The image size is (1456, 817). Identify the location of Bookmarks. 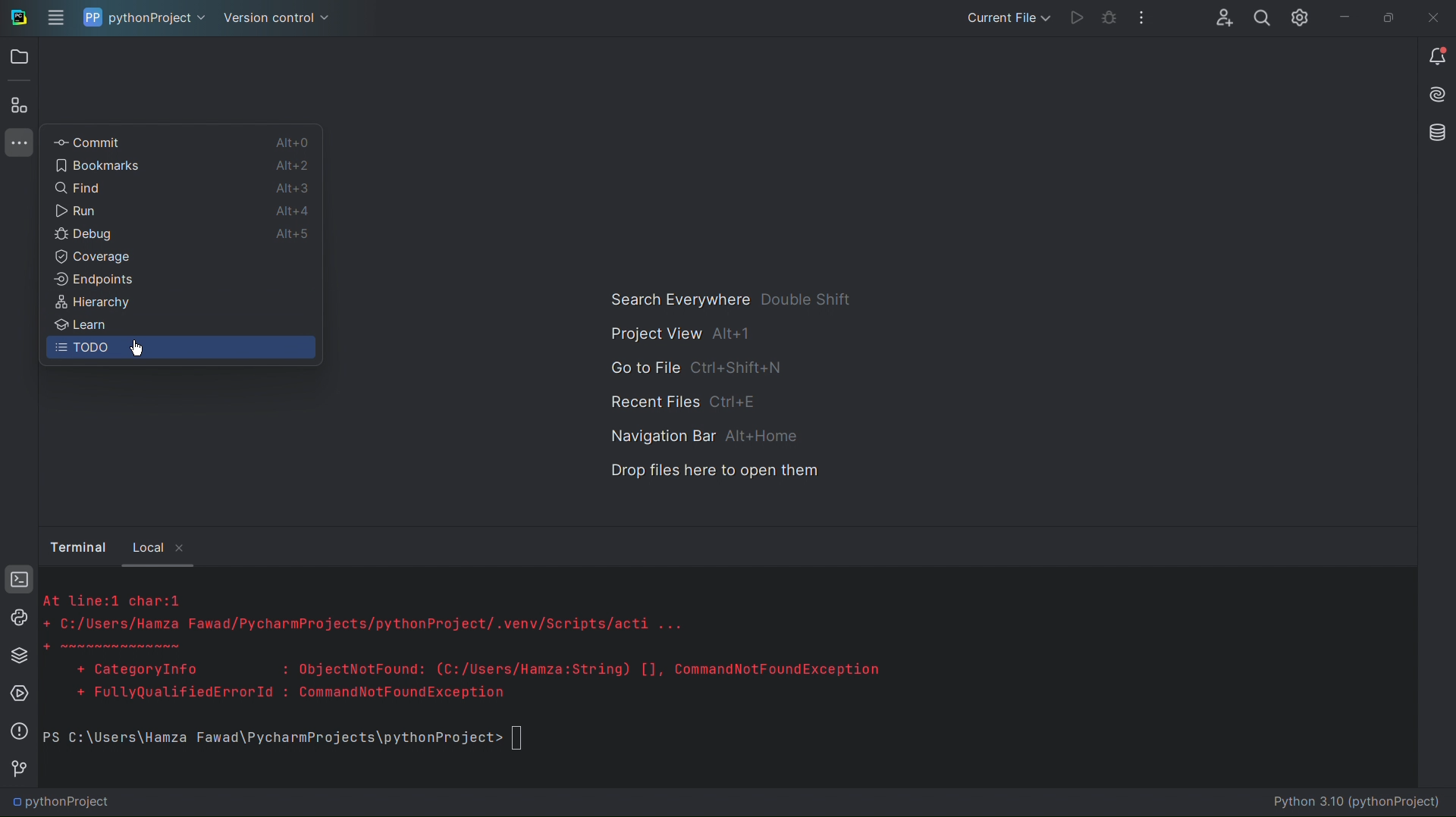
(106, 163).